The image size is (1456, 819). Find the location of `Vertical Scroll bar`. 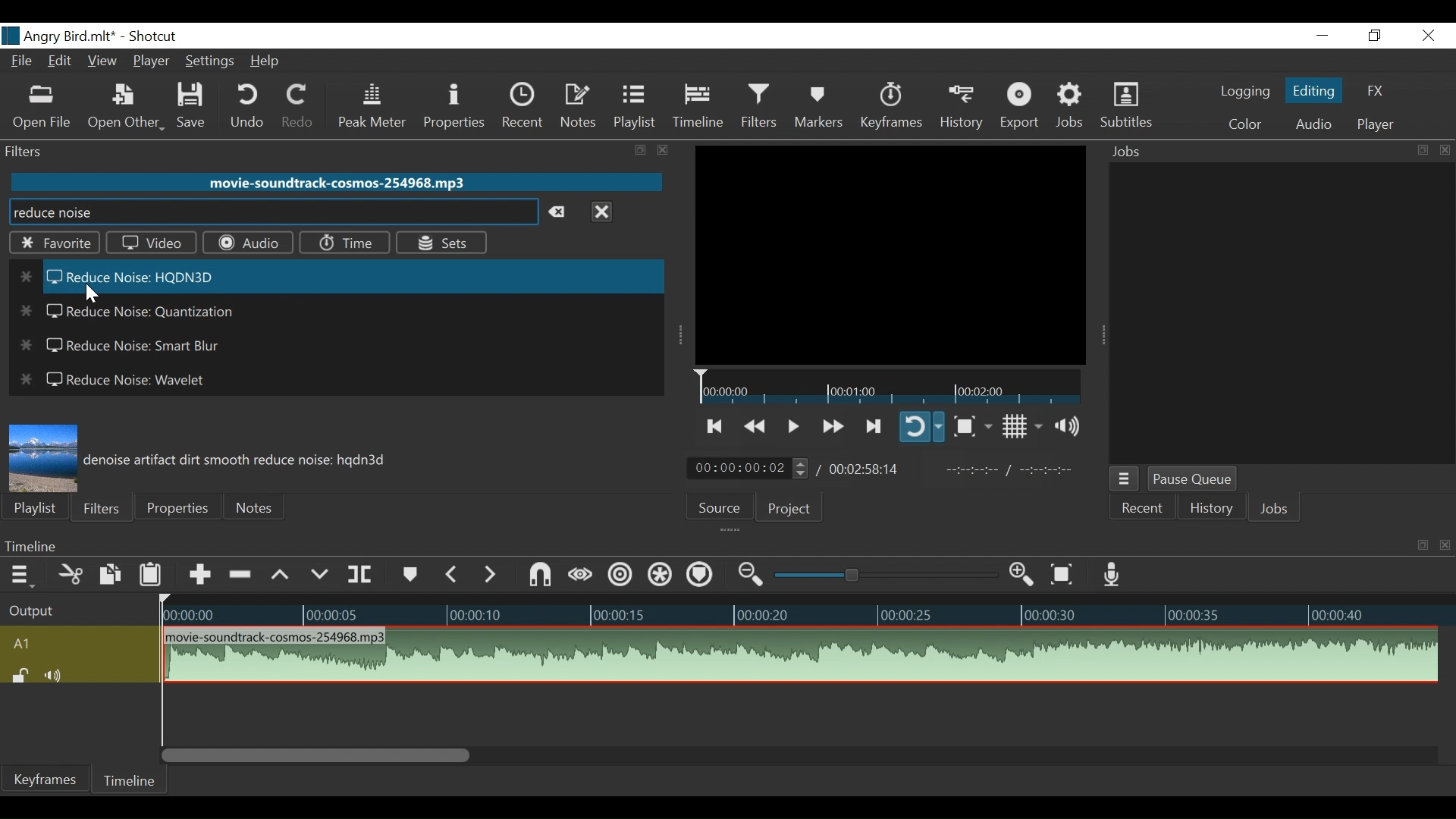

Vertical Scroll bar is located at coordinates (316, 755).